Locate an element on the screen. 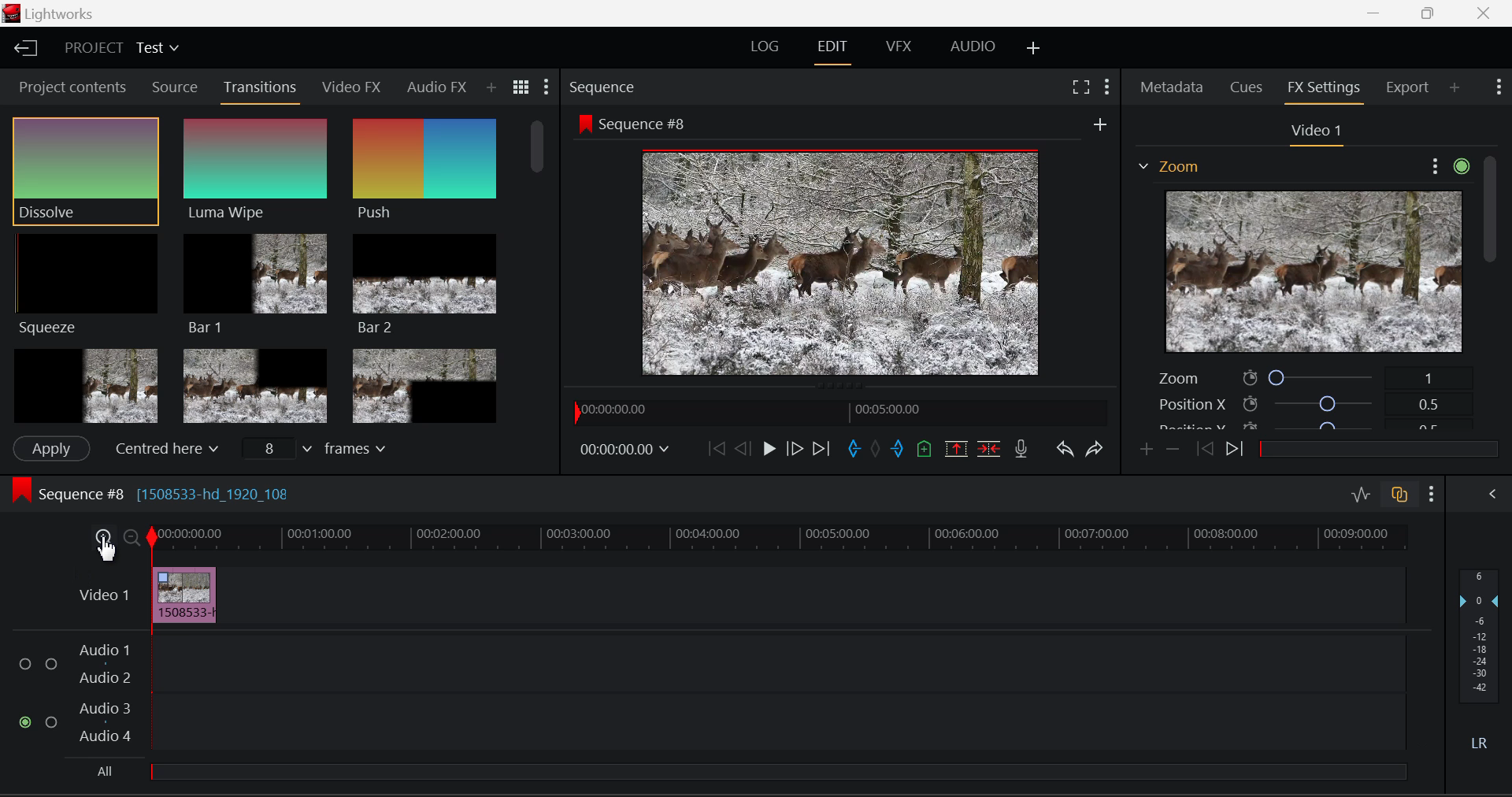 The height and width of the screenshot is (797, 1512). Scroll Bar is located at coordinates (539, 280).